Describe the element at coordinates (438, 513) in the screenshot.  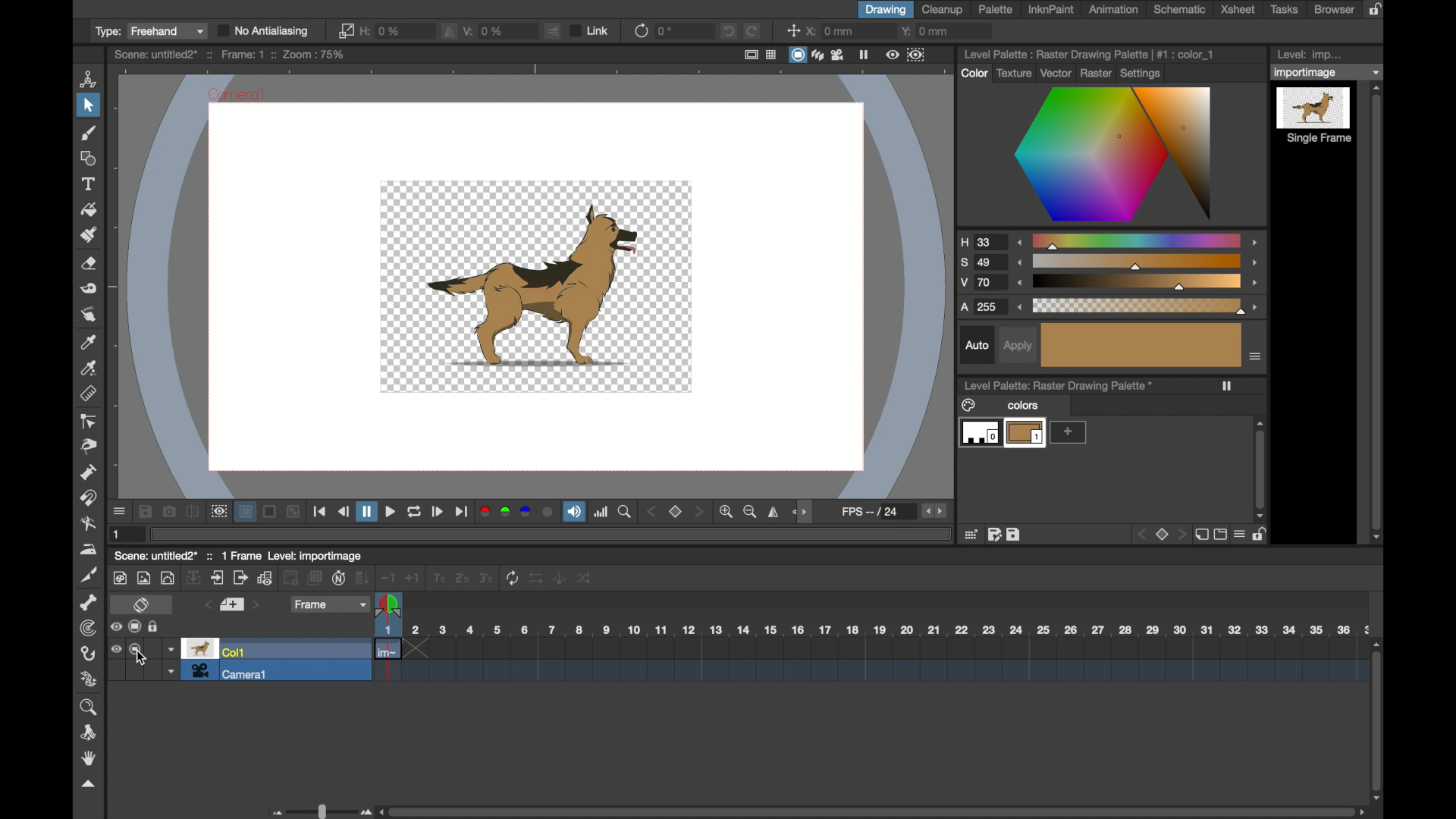
I see `play` at that location.